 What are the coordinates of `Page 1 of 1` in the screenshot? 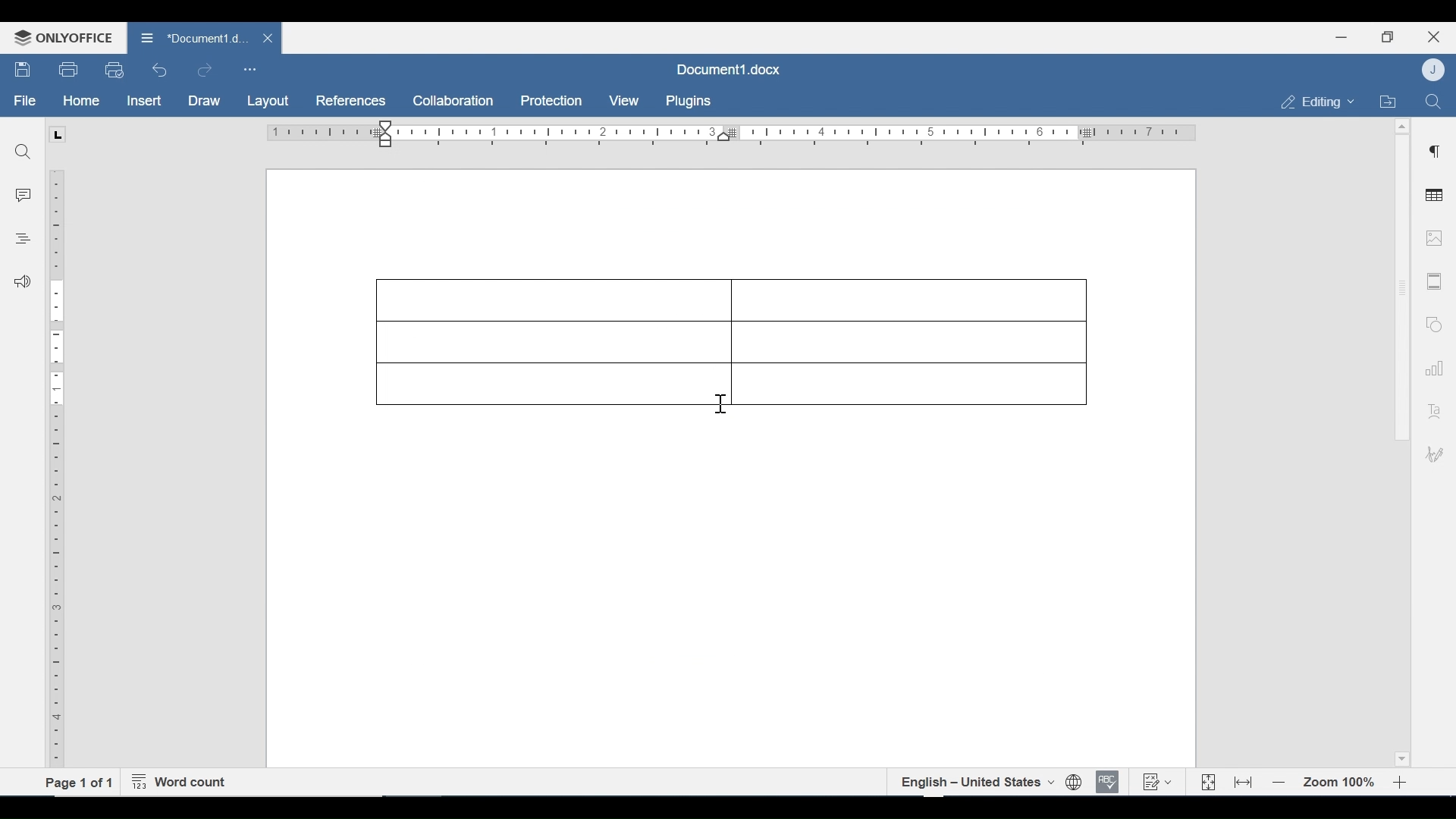 It's located at (79, 782).